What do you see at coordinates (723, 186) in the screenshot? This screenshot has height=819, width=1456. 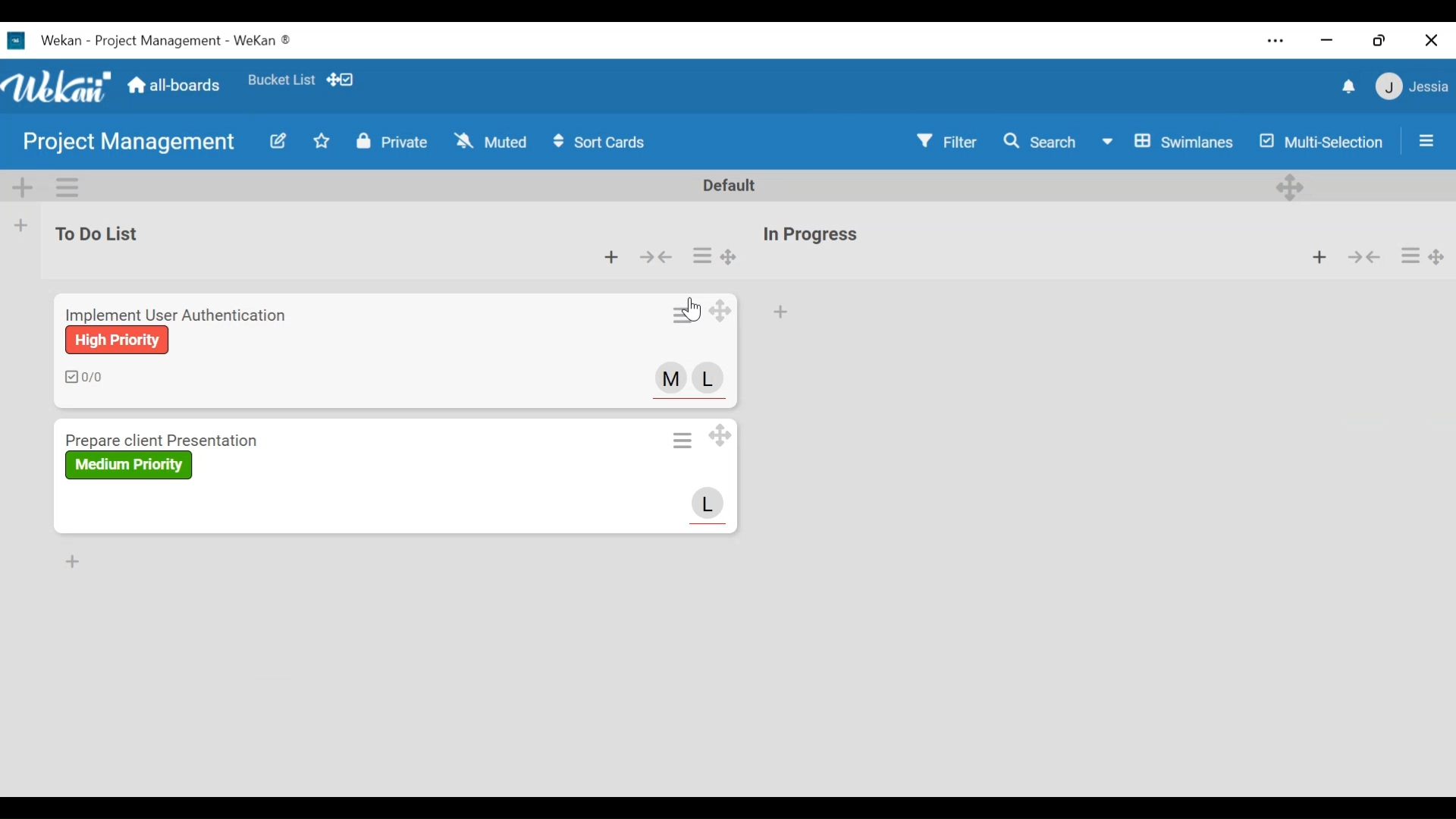 I see `Default` at bounding box center [723, 186].